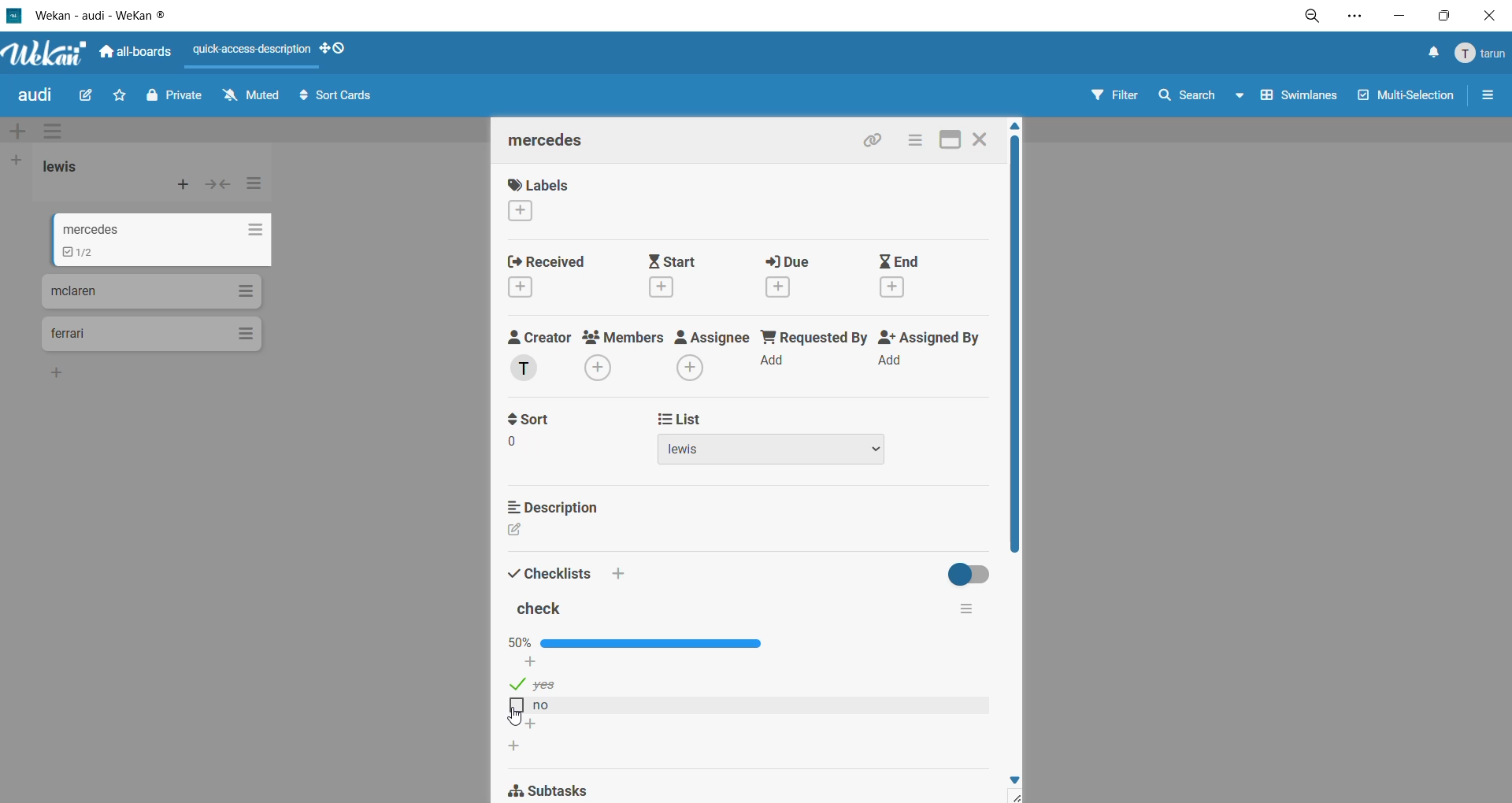  What do you see at coordinates (79, 168) in the screenshot?
I see `list title` at bounding box center [79, 168].